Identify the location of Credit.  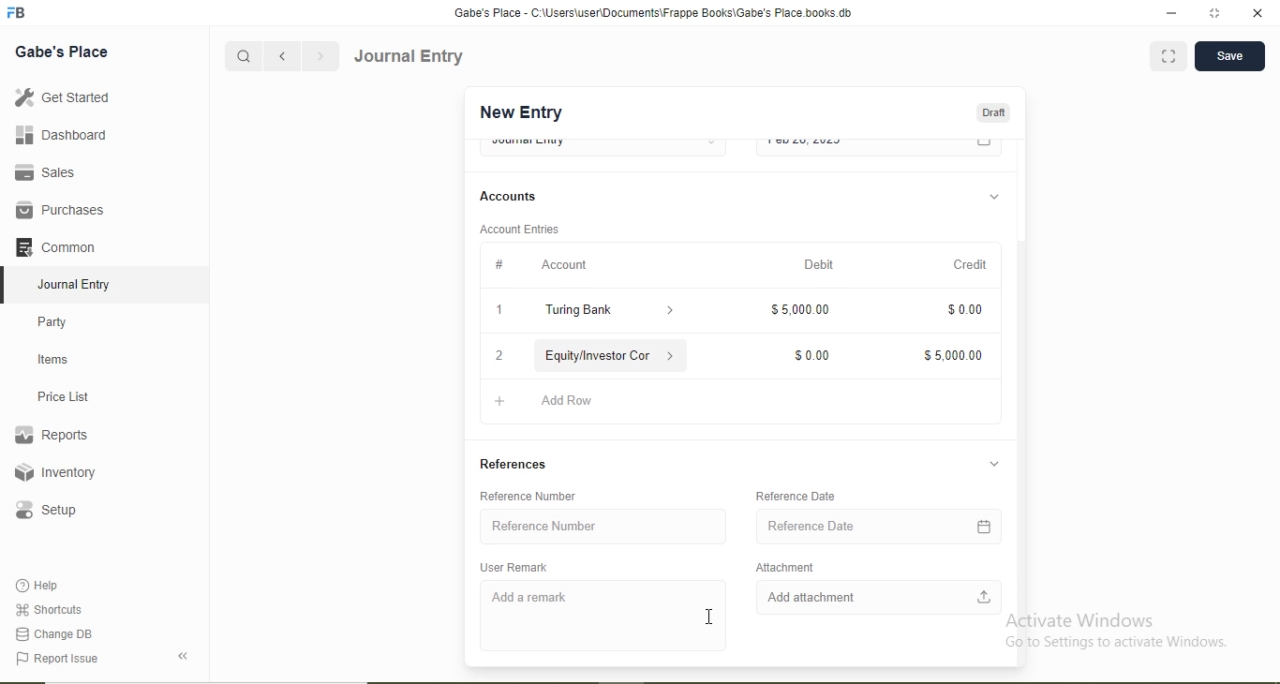
(971, 266).